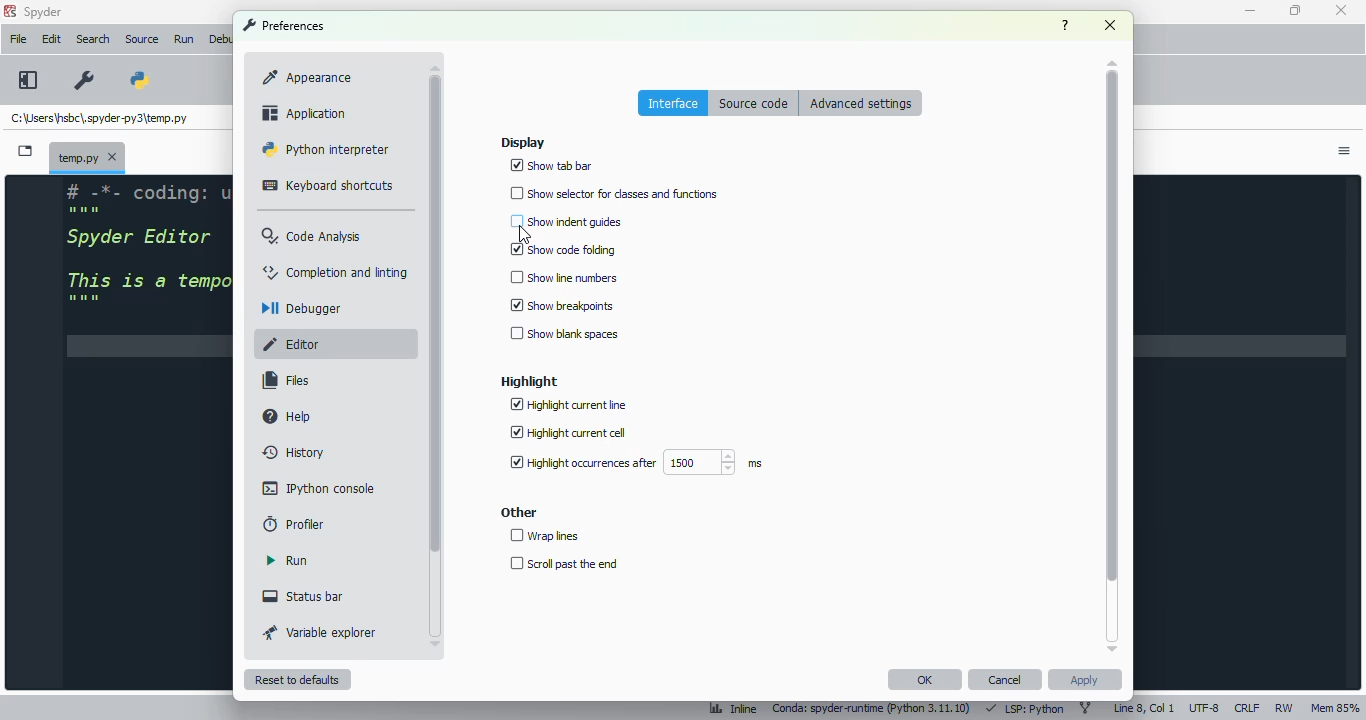  I want to click on apply, so click(1085, 679).